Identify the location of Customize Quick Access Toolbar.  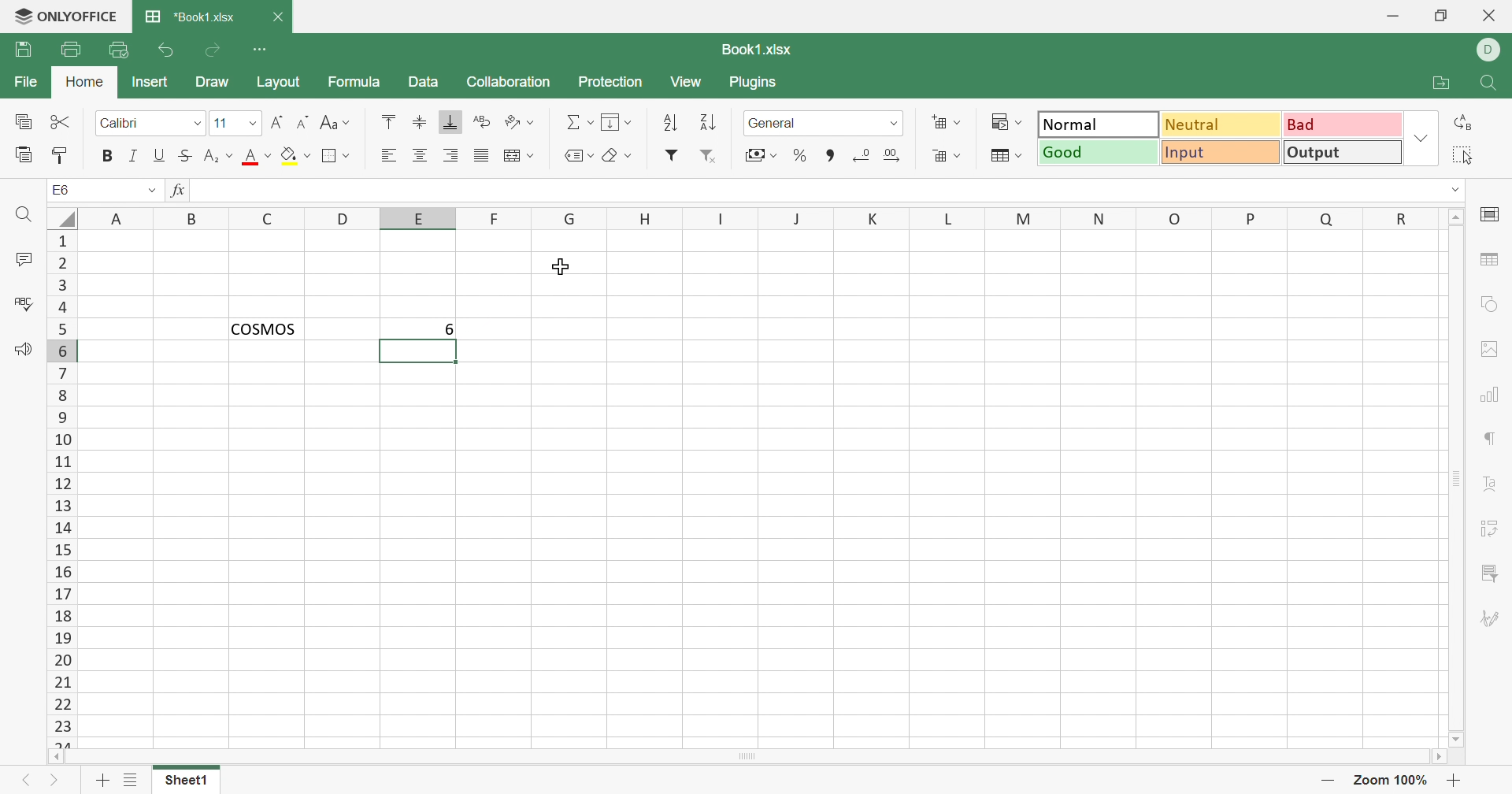
(260, 50).